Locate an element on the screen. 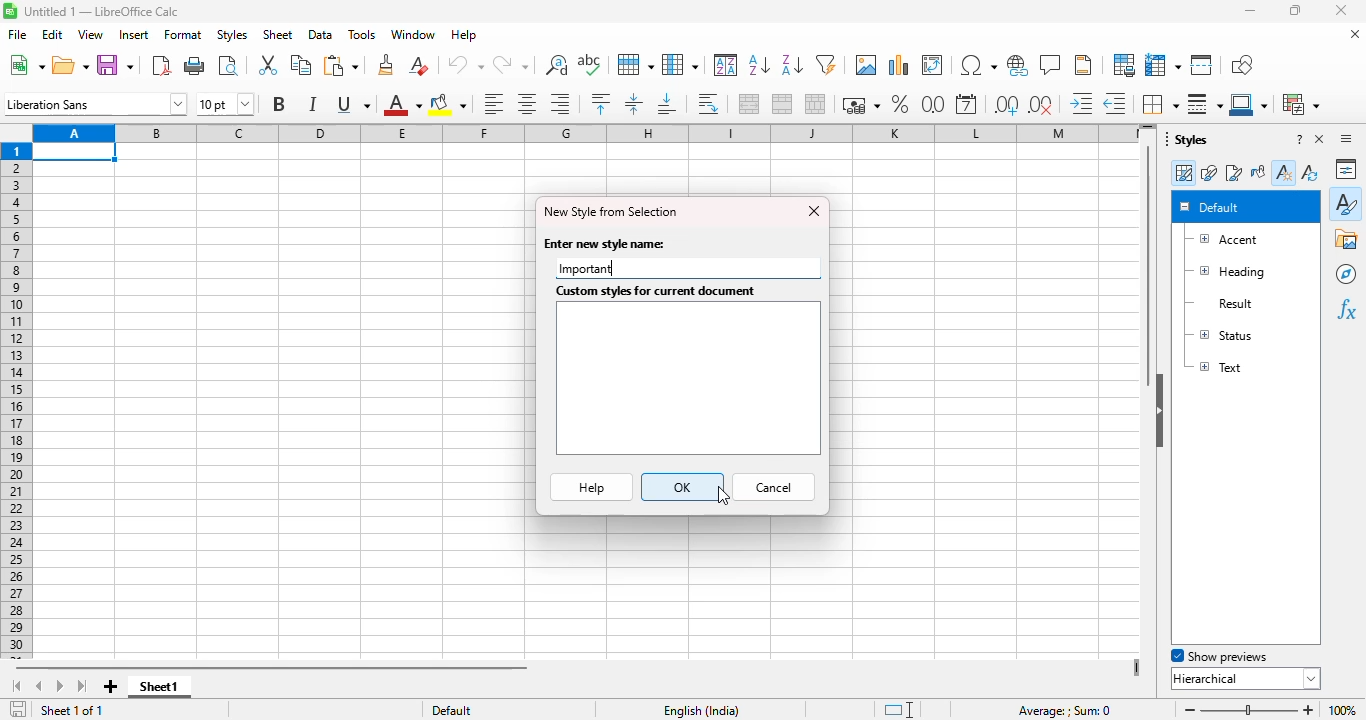 The width and height of the screenshot is (1366, 720). page styles is located at coordinates (1233, 172).